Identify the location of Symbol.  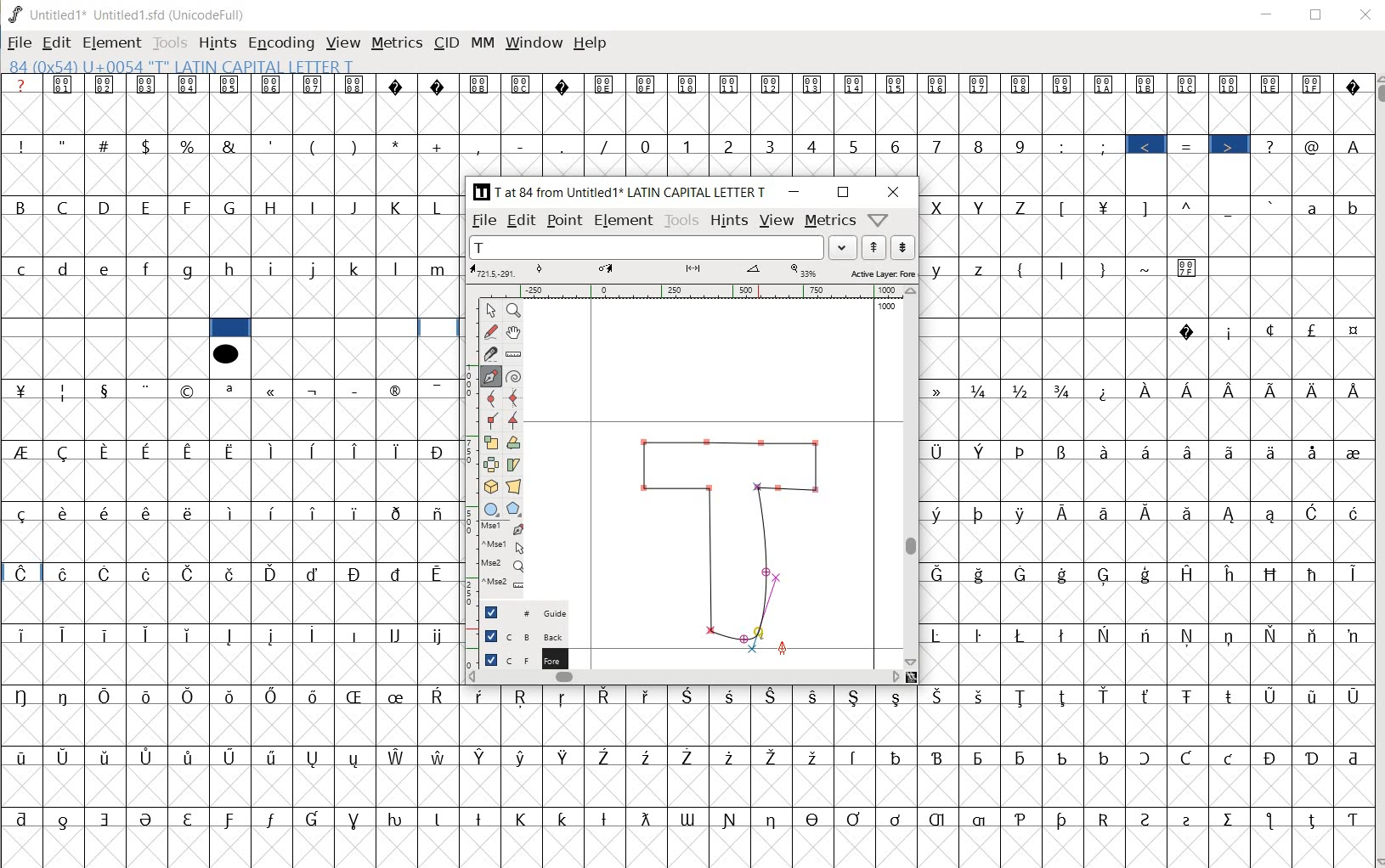
(439, 636).